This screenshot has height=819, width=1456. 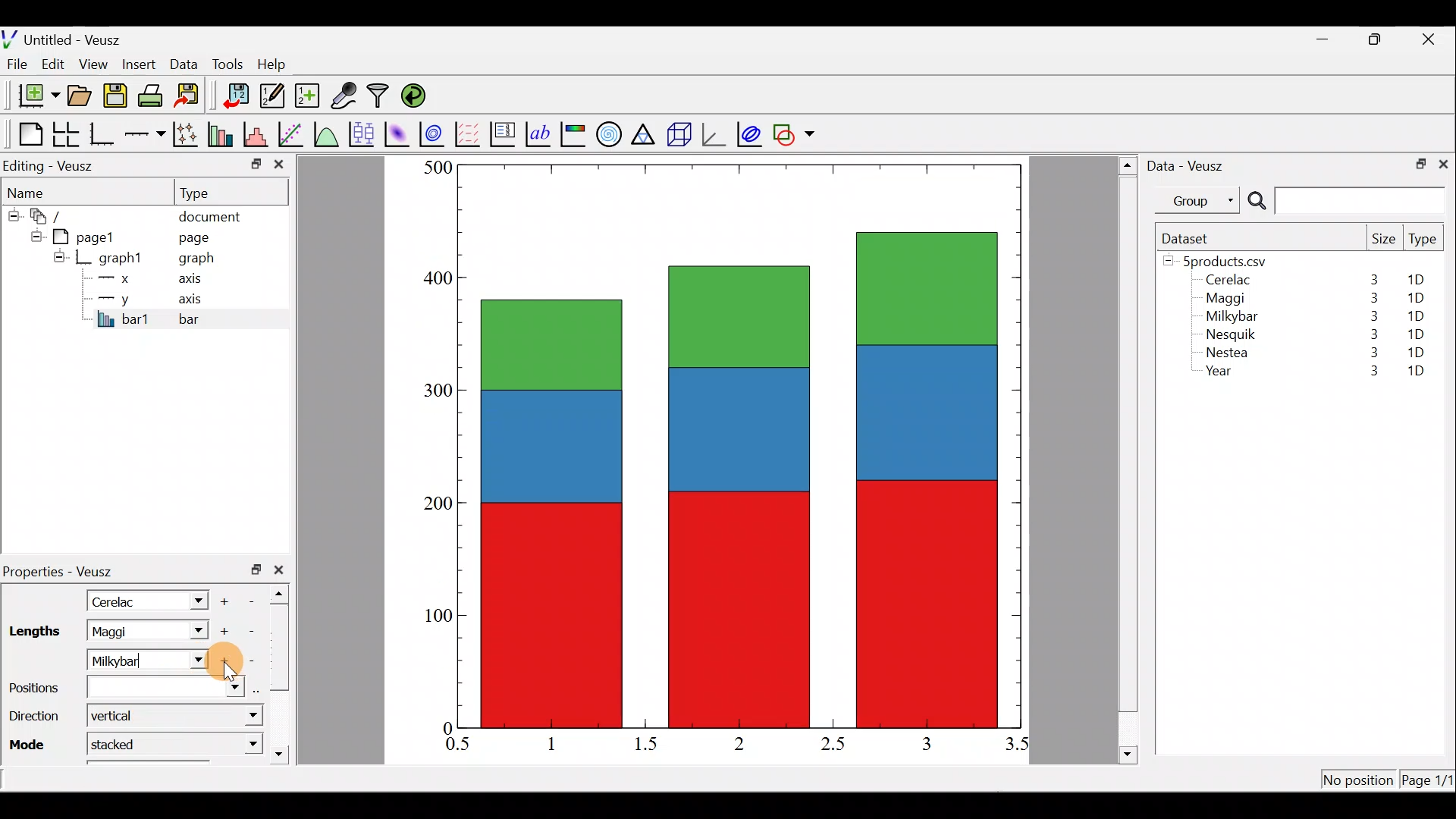 What do you see at coordinates (1412, 315) in the screenshot?
I see `1D` at bounding box center [1412, 315].